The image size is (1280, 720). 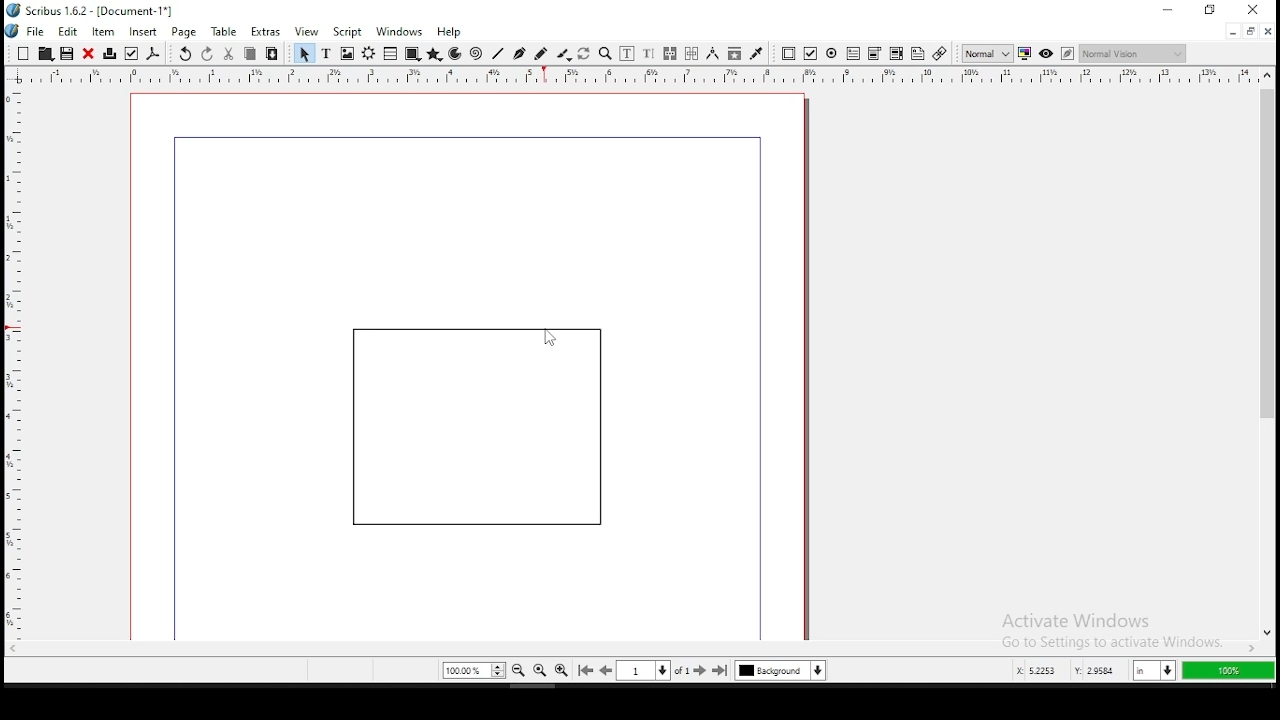 I want to click on edit, so click(x=68, y=31).